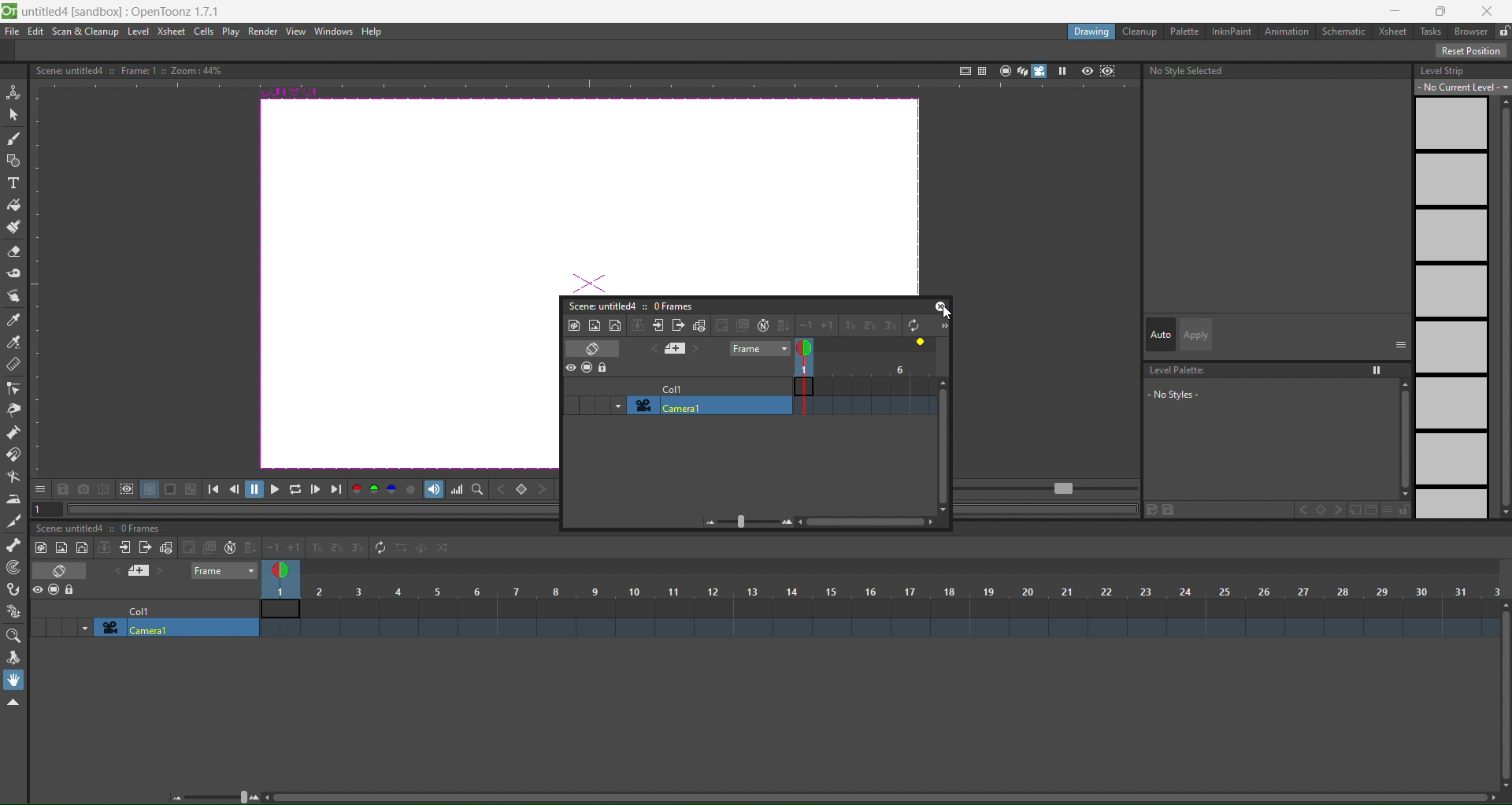 The width and height of the screenshot is (1512, 805). I want to click on frame, so click(758, 349).